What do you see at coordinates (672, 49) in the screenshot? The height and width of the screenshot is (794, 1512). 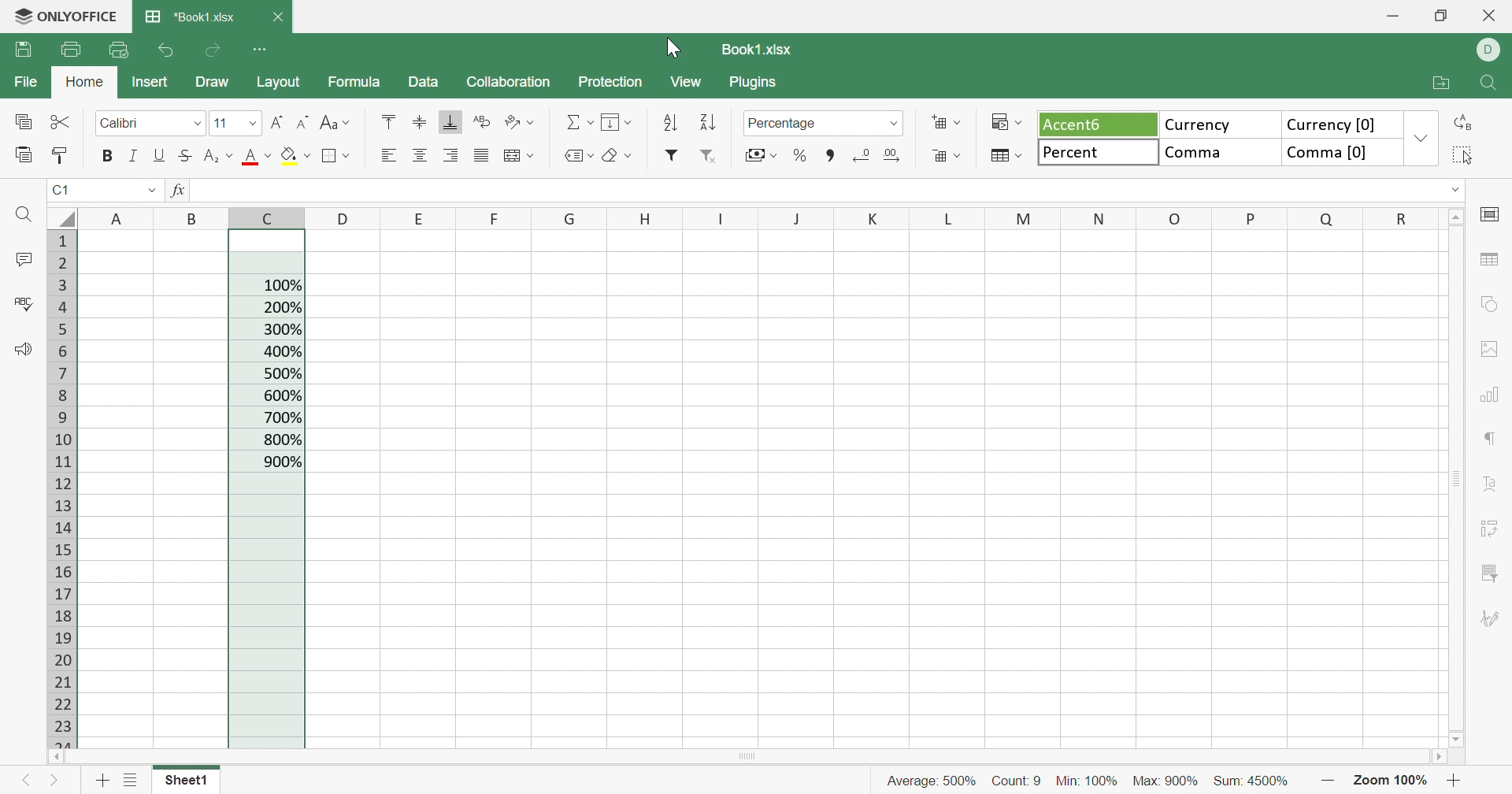 I see `Cursor` at bounding box center [672, 49].